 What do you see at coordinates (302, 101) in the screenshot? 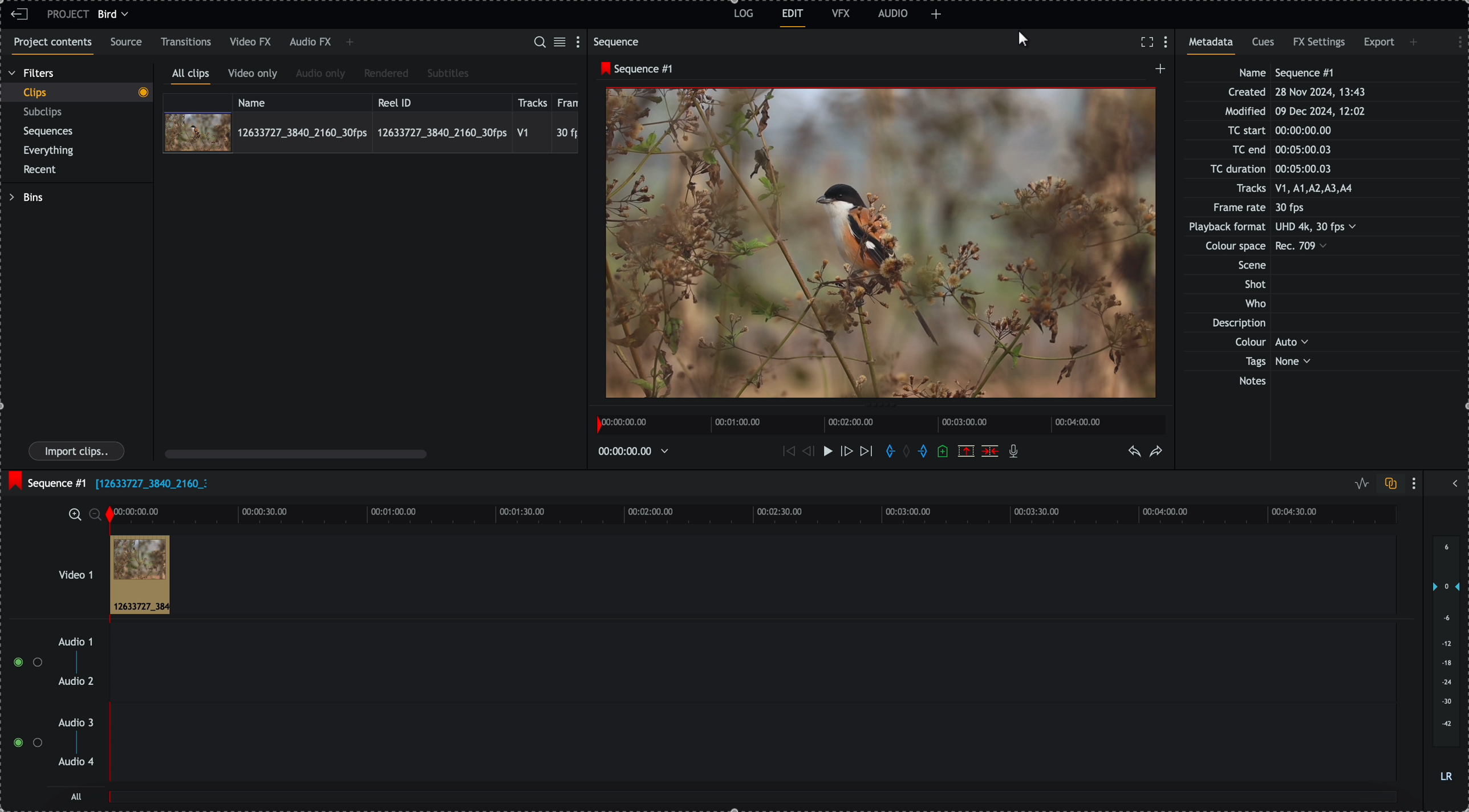
I see `name` at bounding box center [302, 101].